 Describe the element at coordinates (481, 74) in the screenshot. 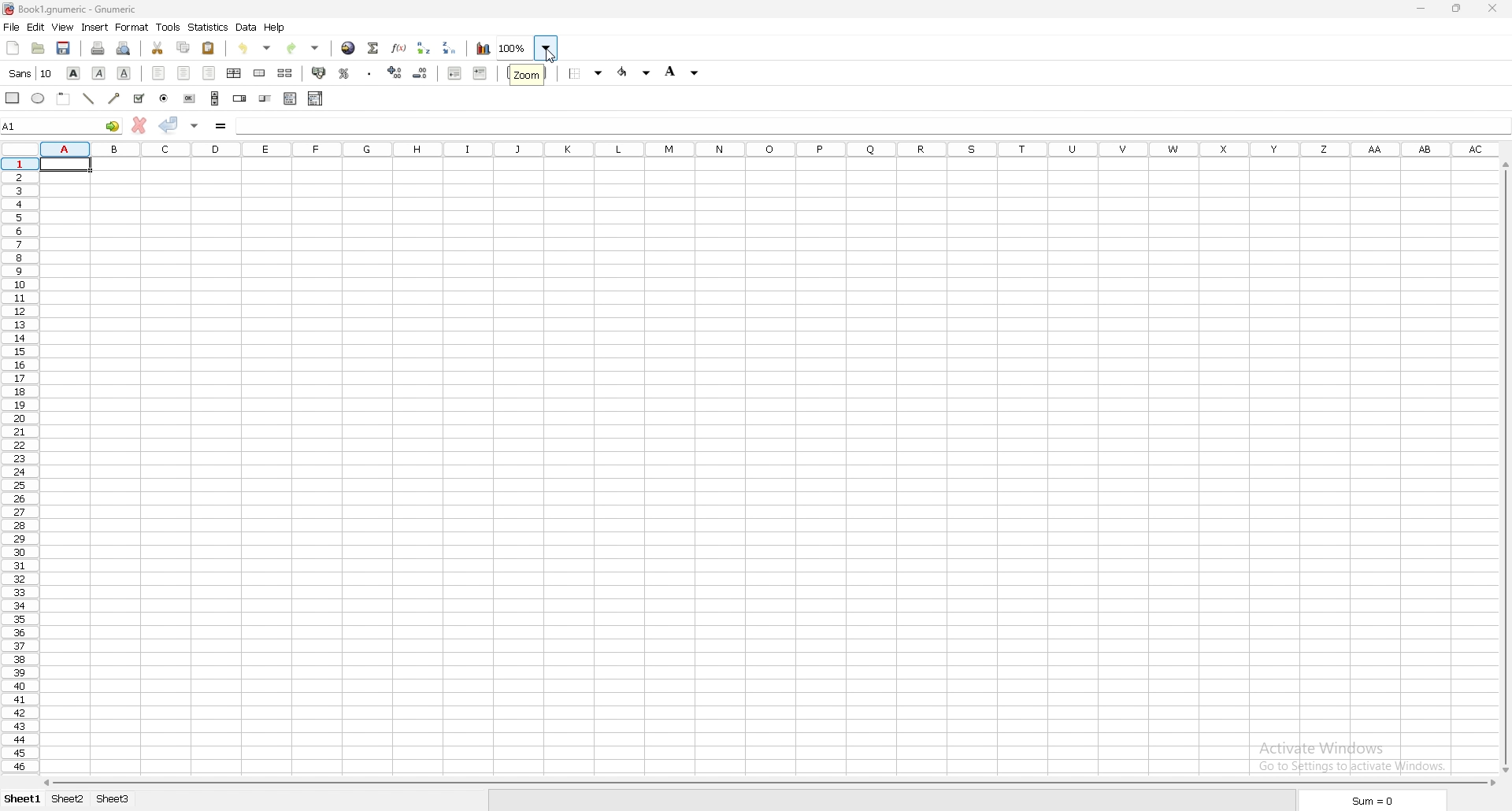

I see `increase indent` at that location.